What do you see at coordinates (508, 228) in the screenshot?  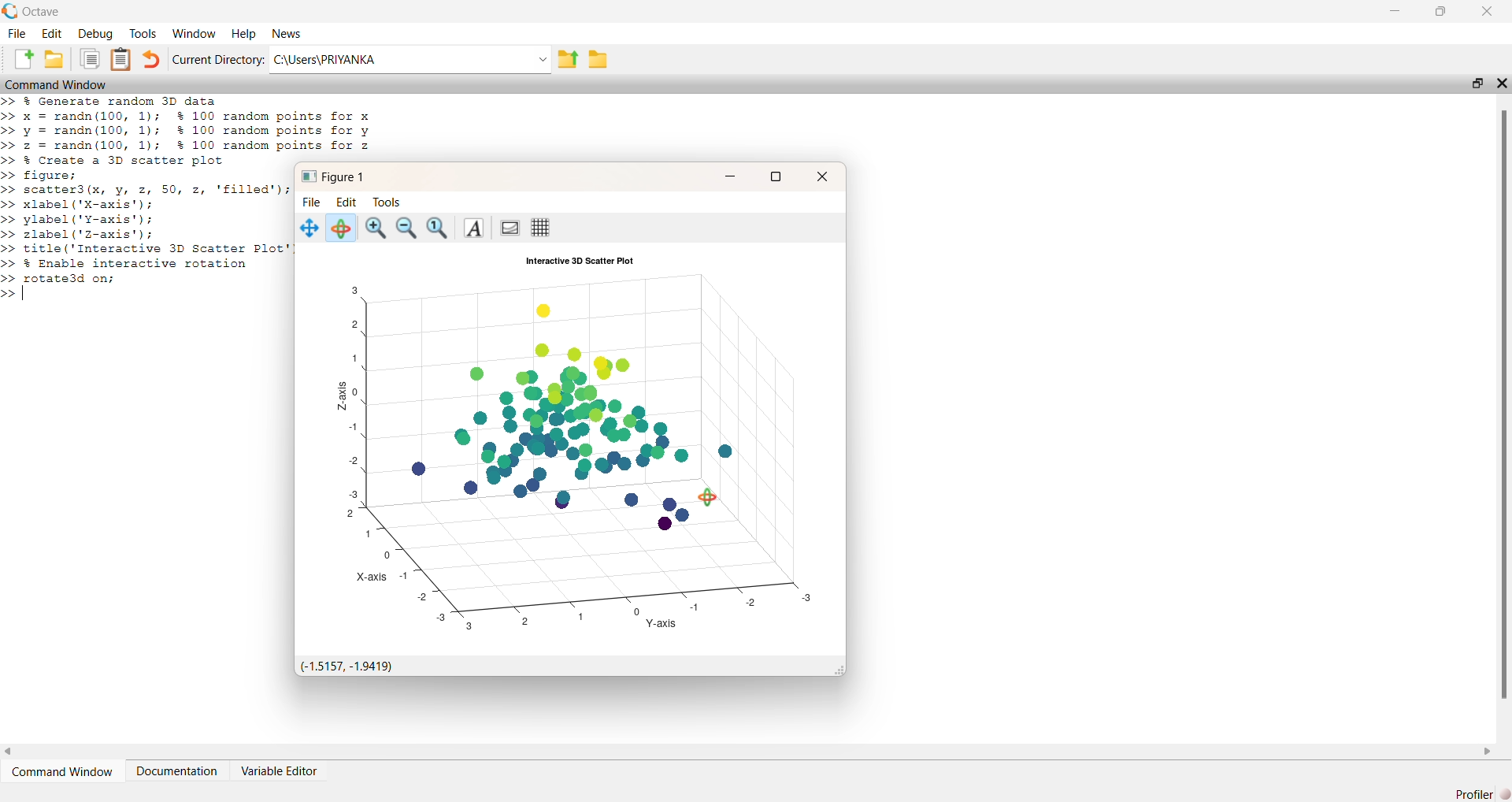 I see `background` at bounding box center [508, 228].